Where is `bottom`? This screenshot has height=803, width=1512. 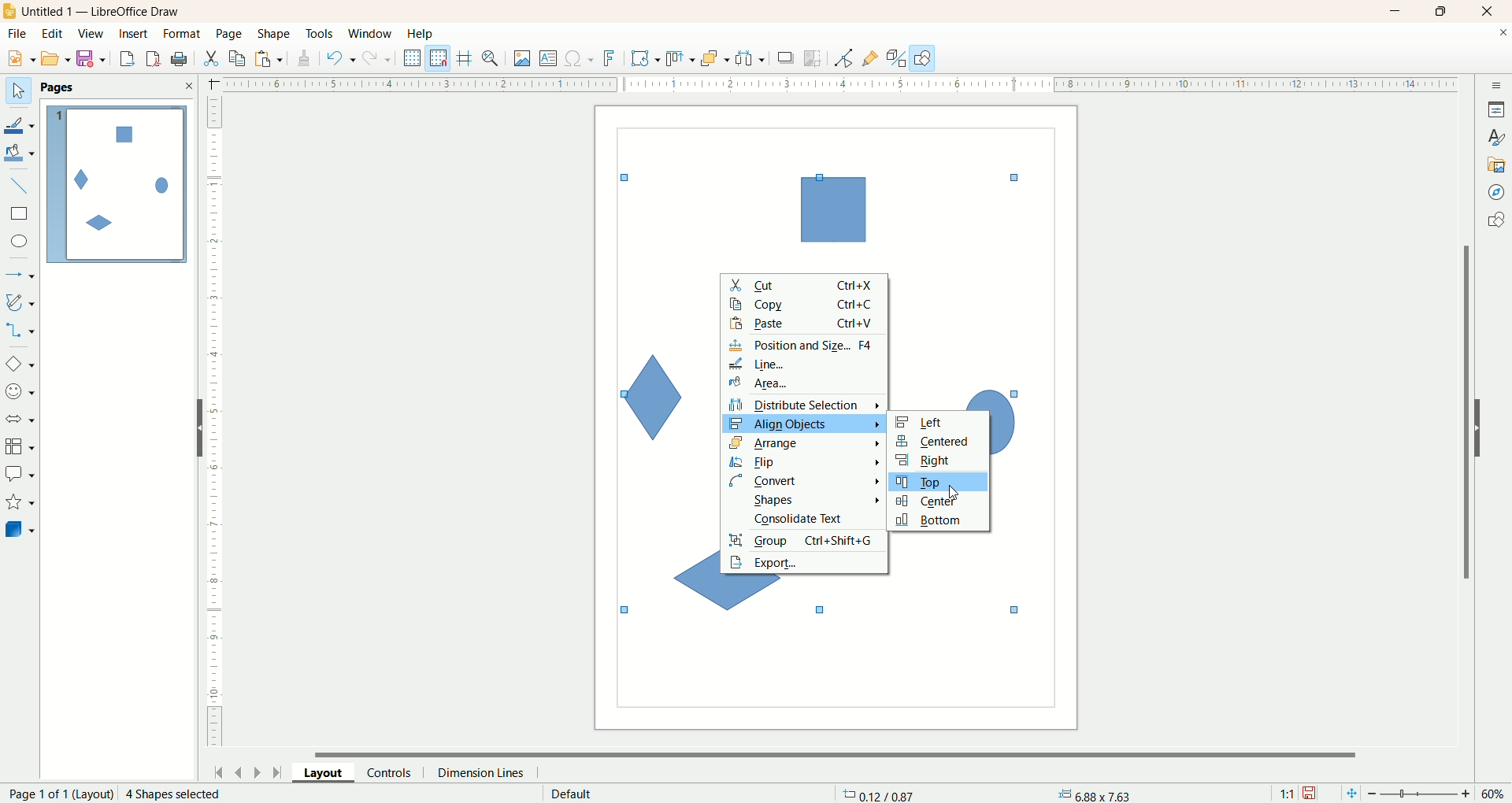
bottom is located at coordinates (936, 522).